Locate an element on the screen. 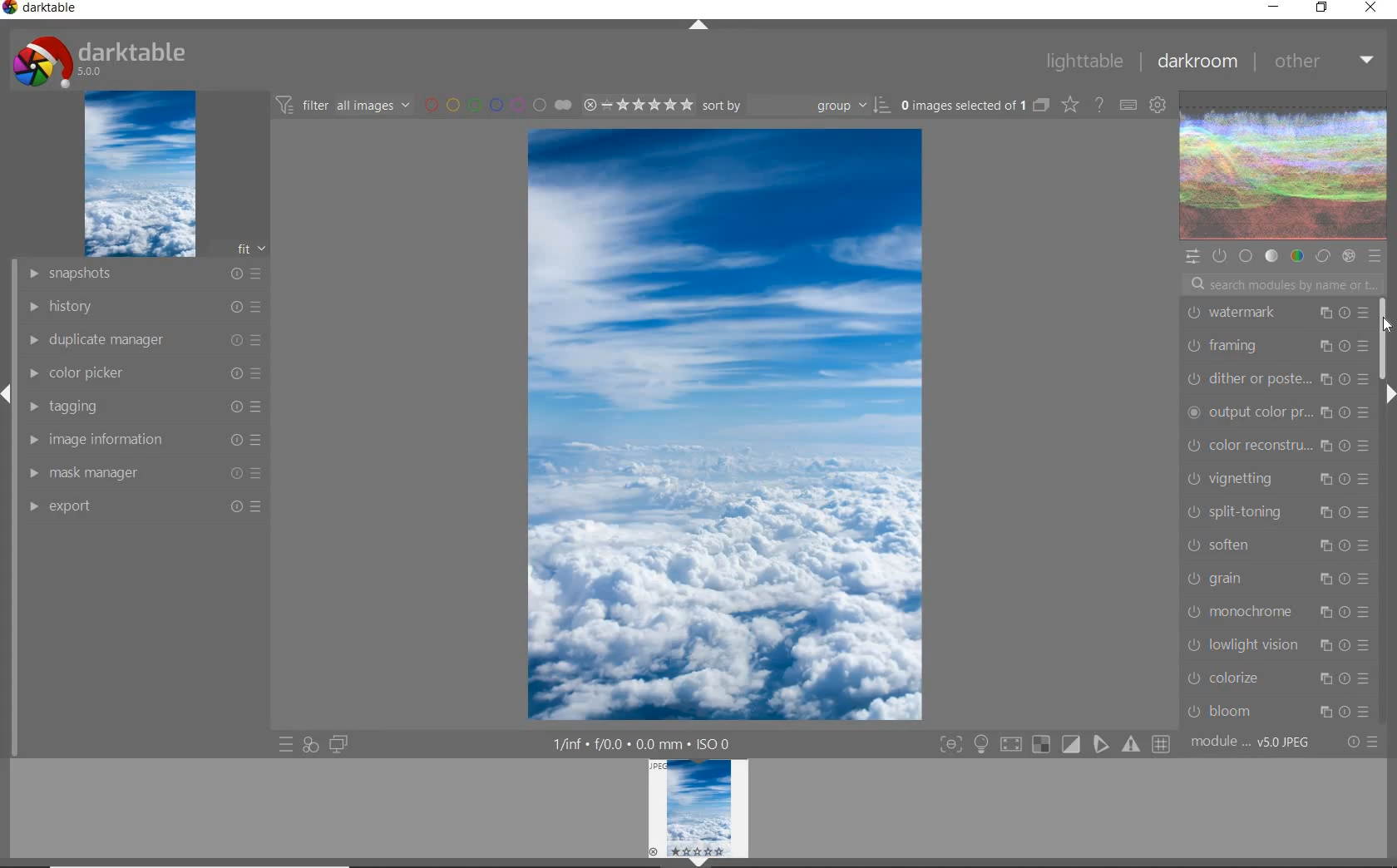  GRAIN is located at coordinates (1277, 579).